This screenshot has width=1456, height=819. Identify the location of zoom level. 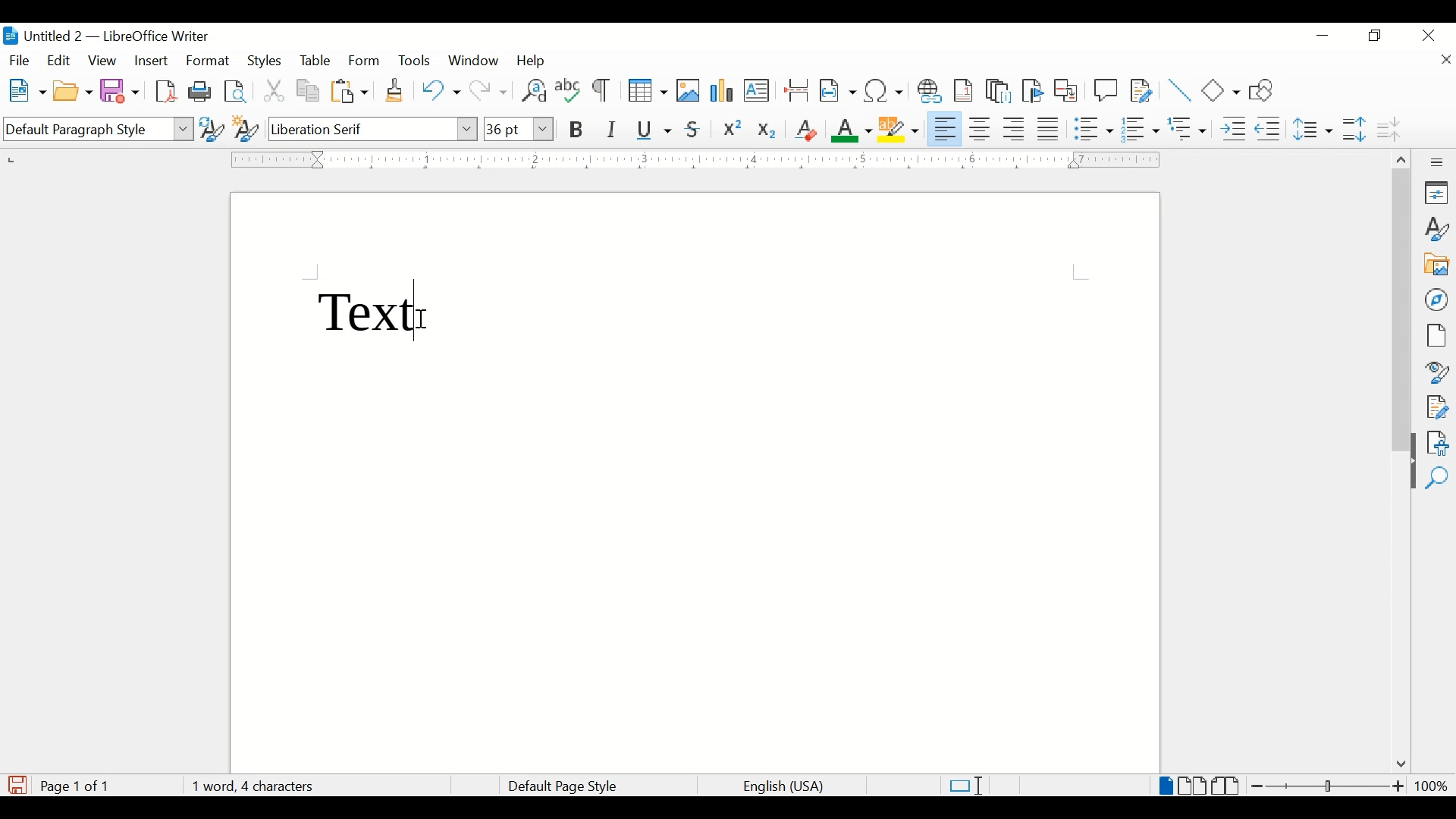
(1431, 786).